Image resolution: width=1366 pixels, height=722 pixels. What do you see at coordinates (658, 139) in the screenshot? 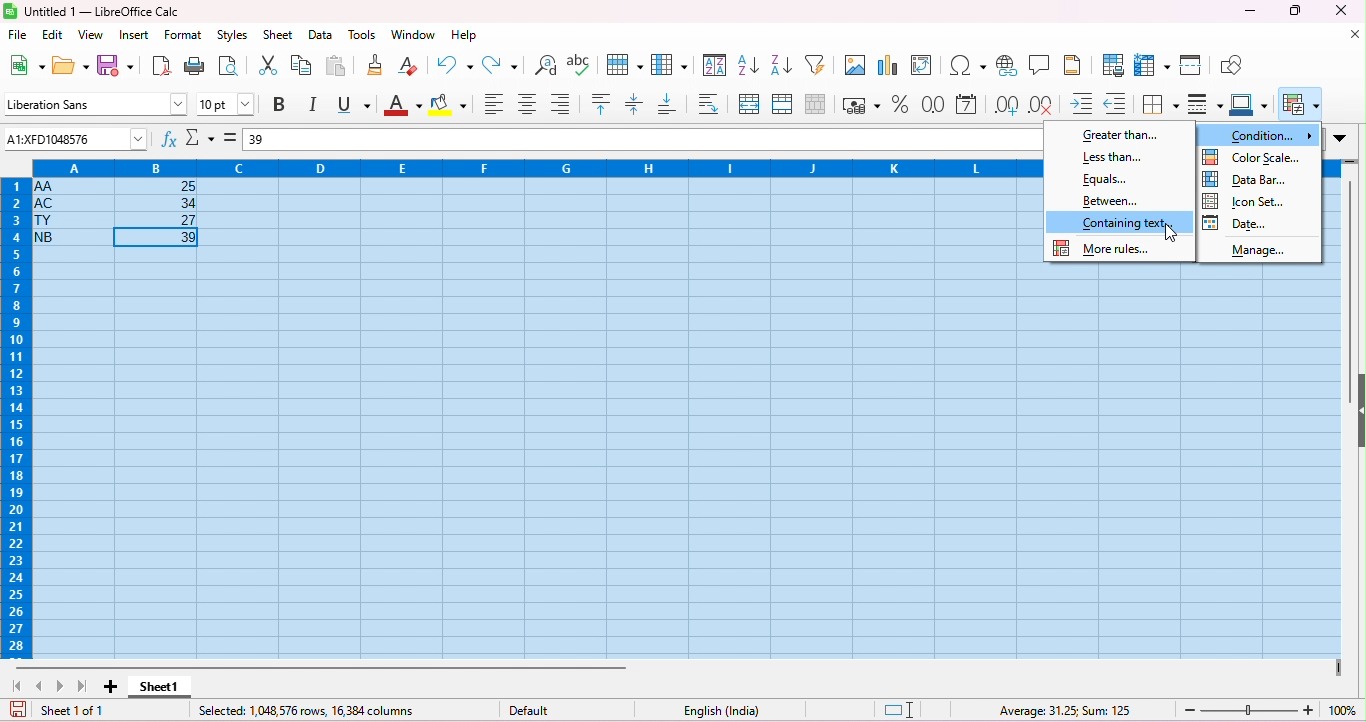
I see `formula bar` at bounding box center [658, 139].